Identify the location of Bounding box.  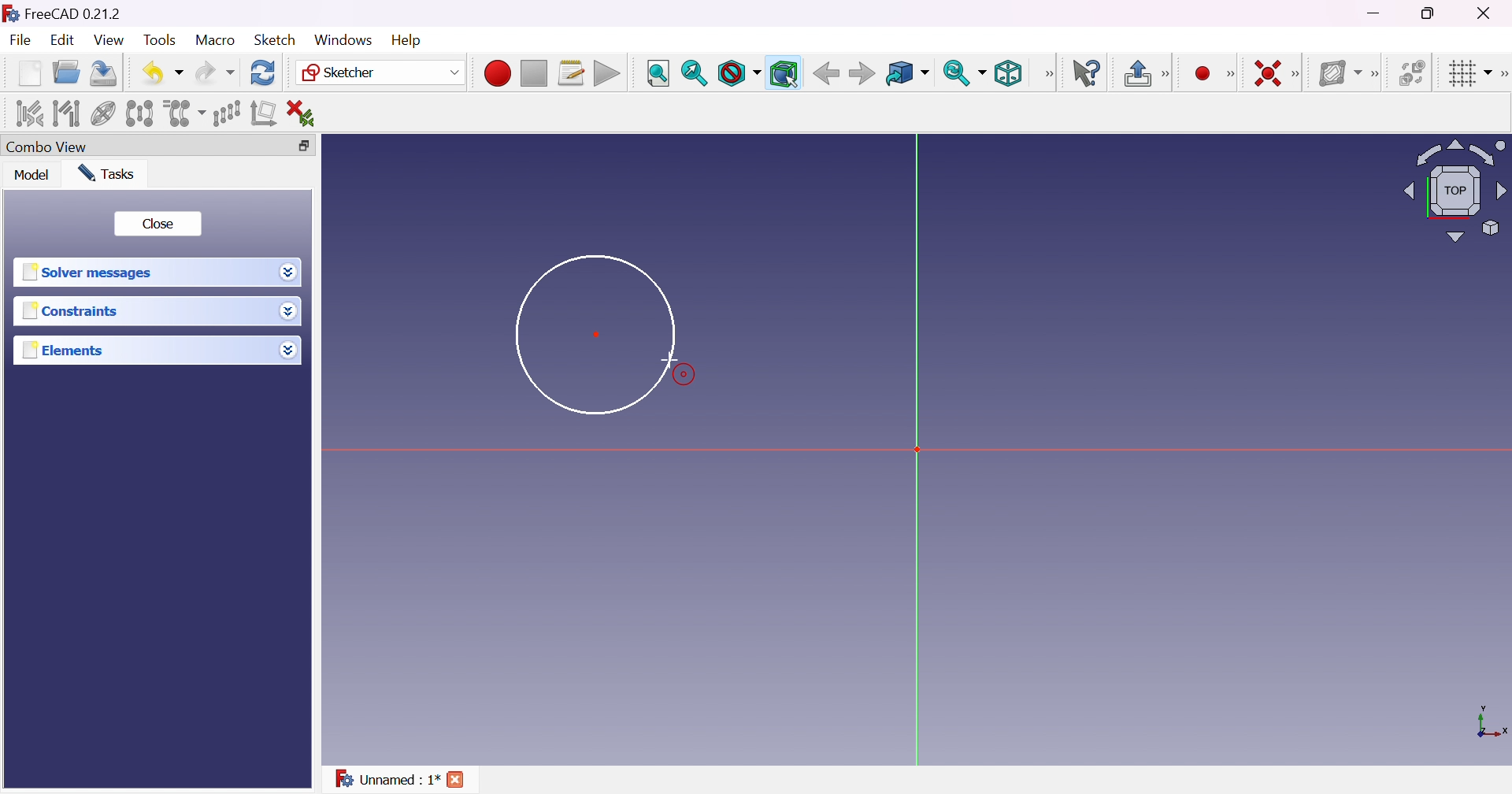
(784, 74).